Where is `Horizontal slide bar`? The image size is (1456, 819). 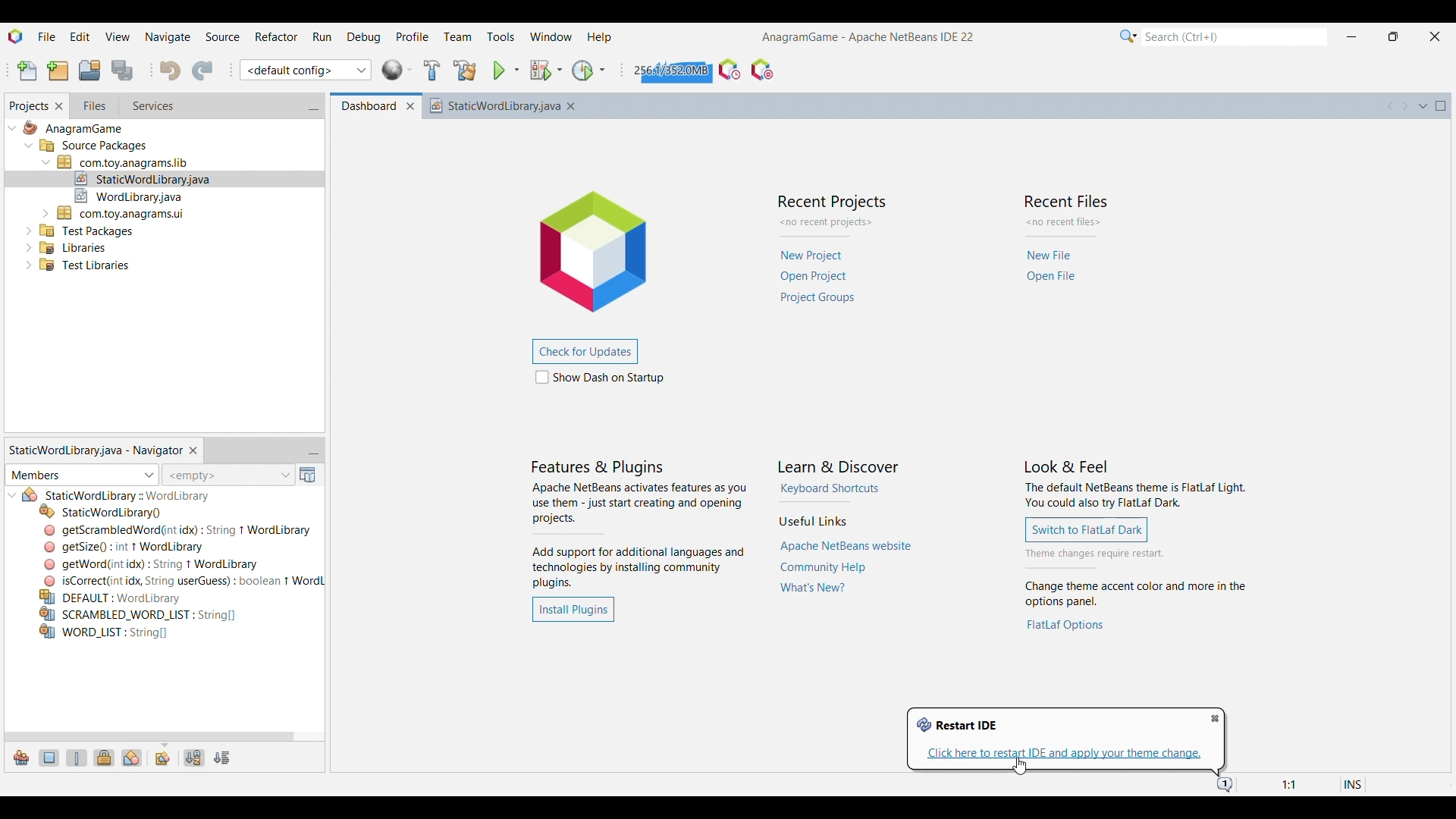
Horizontal slide bar is located at coordinates (149, 737).